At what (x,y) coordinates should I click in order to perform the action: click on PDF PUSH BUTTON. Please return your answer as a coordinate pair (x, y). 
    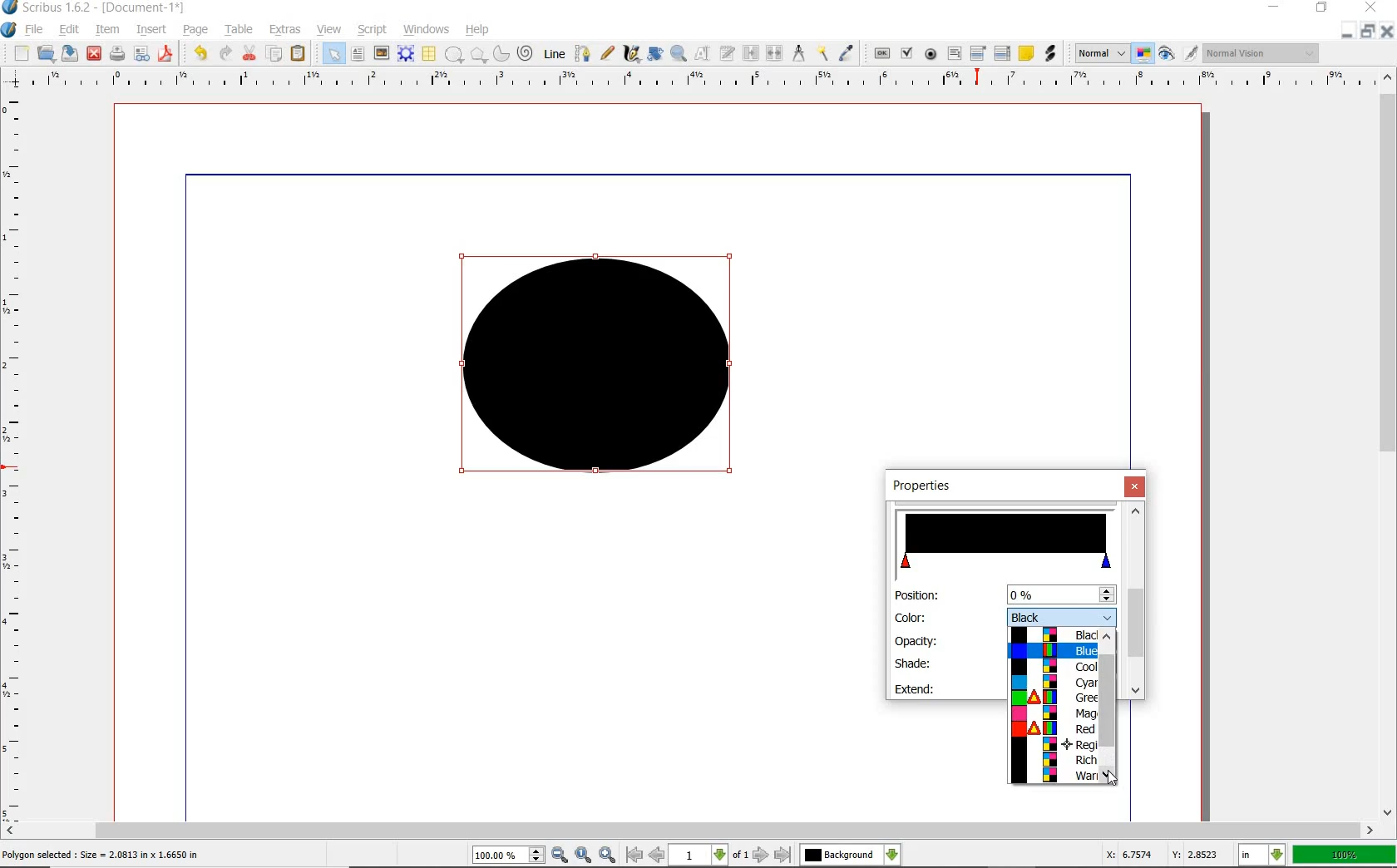
    Looking at the image, I should click on (881, 54).